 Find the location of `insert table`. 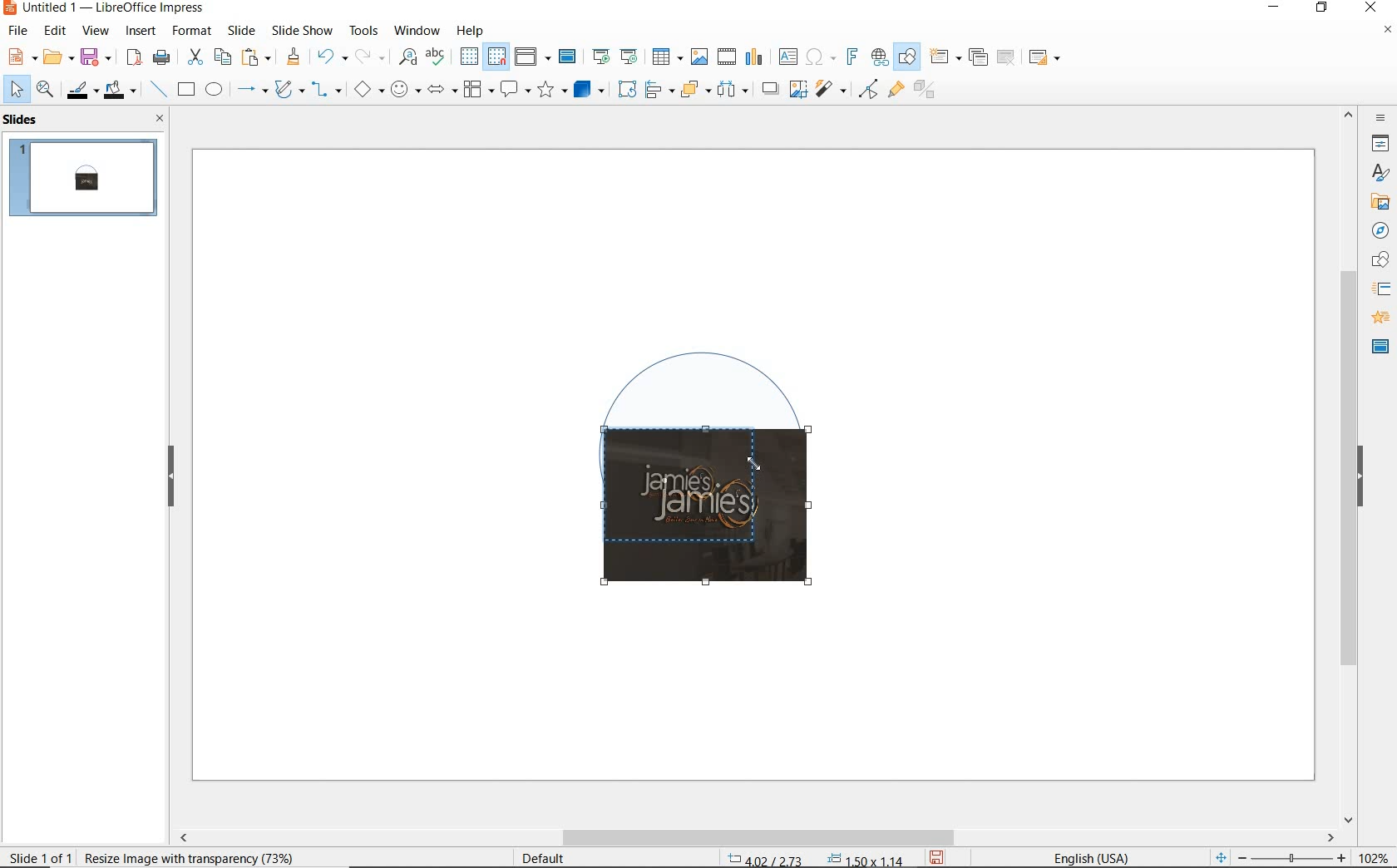

insert table is located at coordinates (665, 57).